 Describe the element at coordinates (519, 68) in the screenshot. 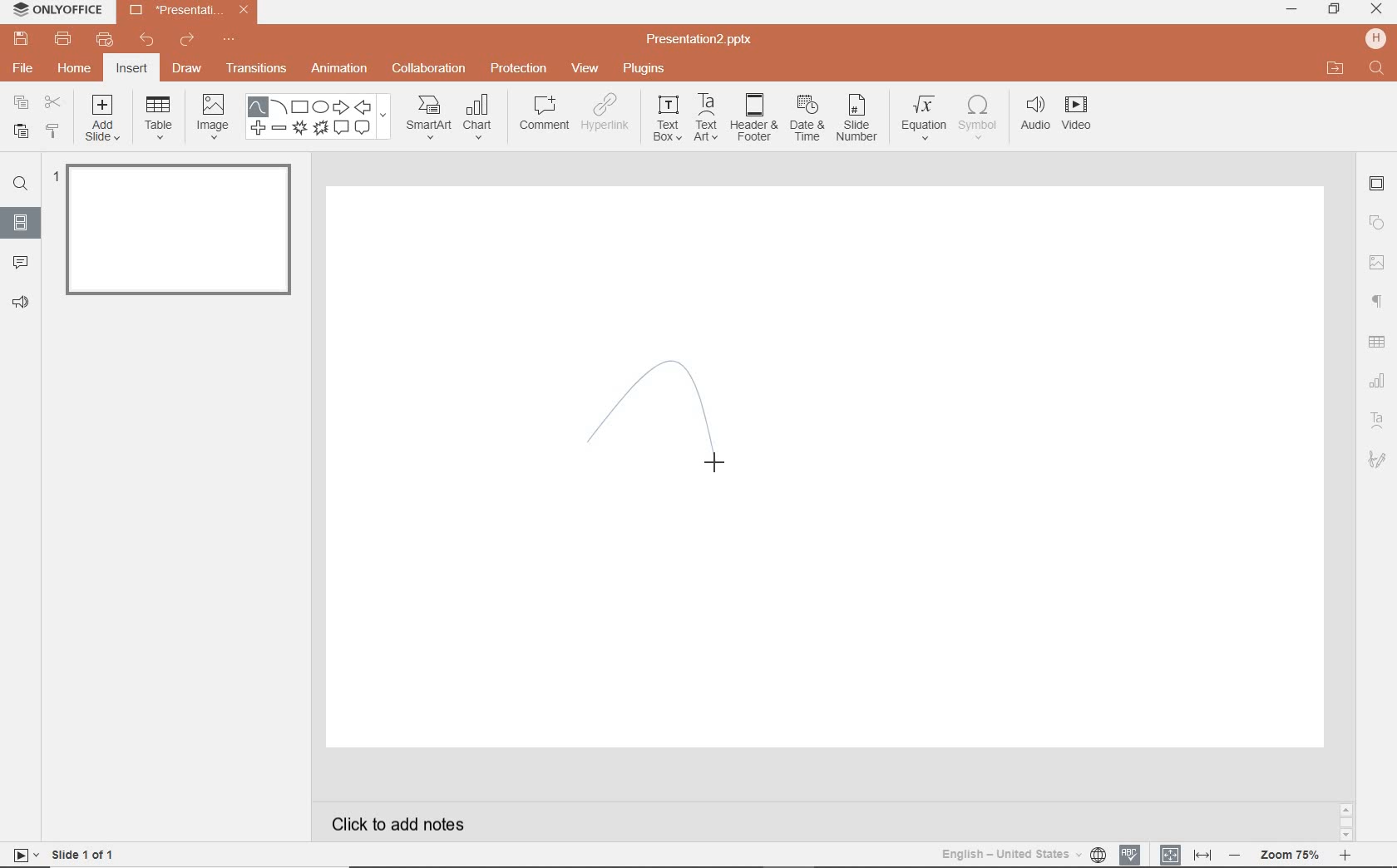

I see `PROTECTION` at that location.